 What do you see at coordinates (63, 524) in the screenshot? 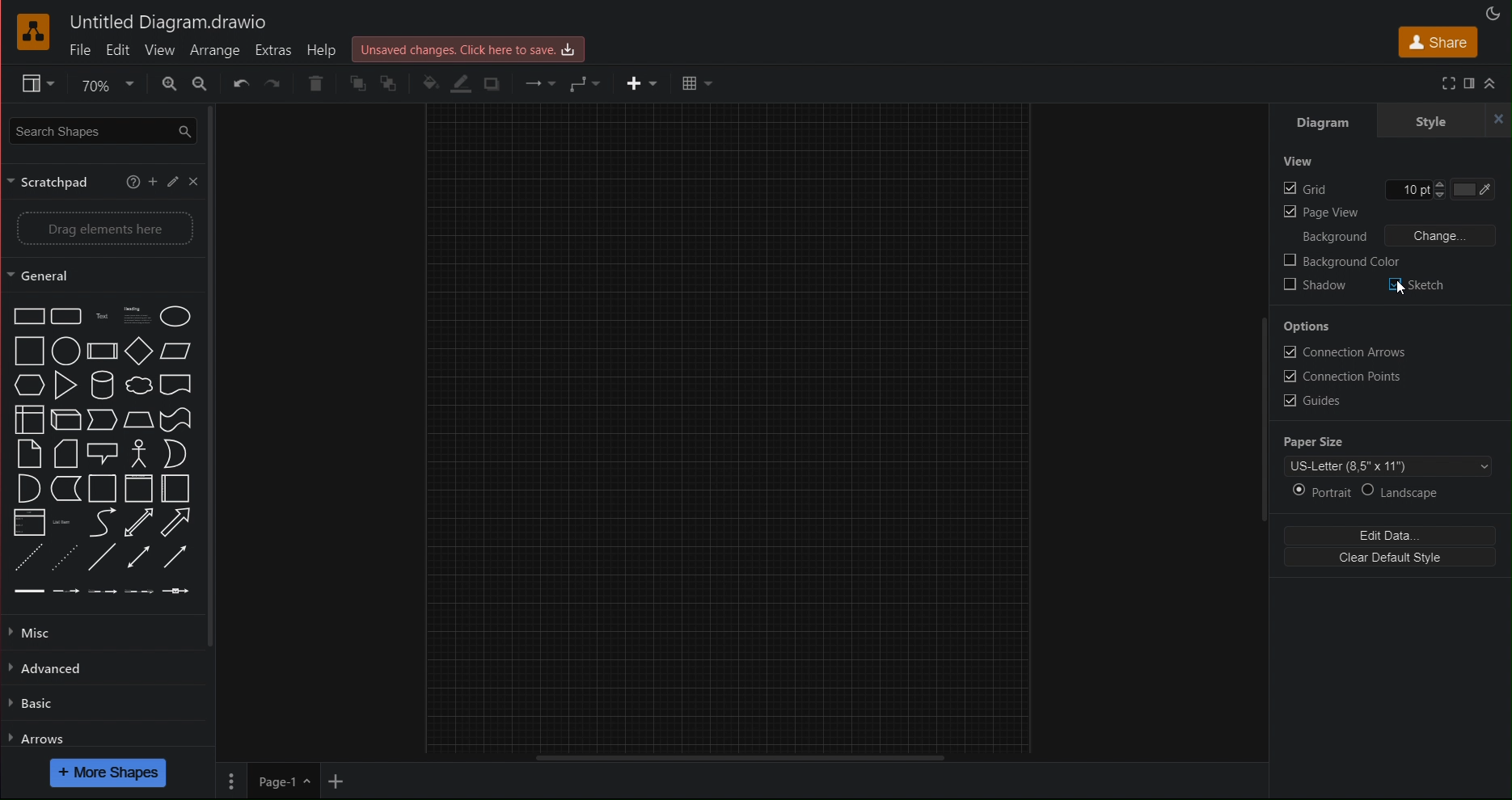
I see `list item` at bounding box center [63, 524].